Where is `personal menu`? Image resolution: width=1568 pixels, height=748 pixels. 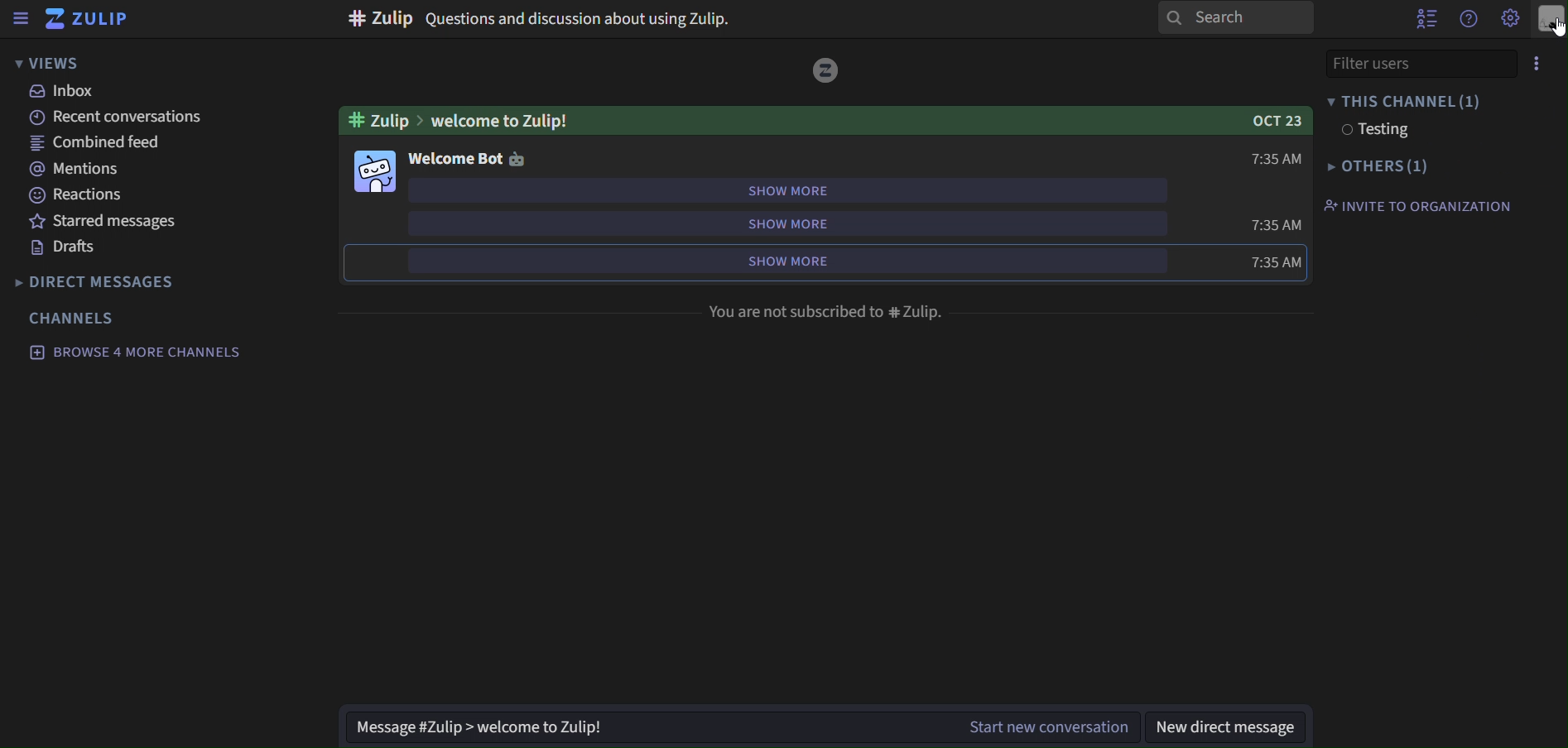
personal menu is located at coordinates (1551, 18).